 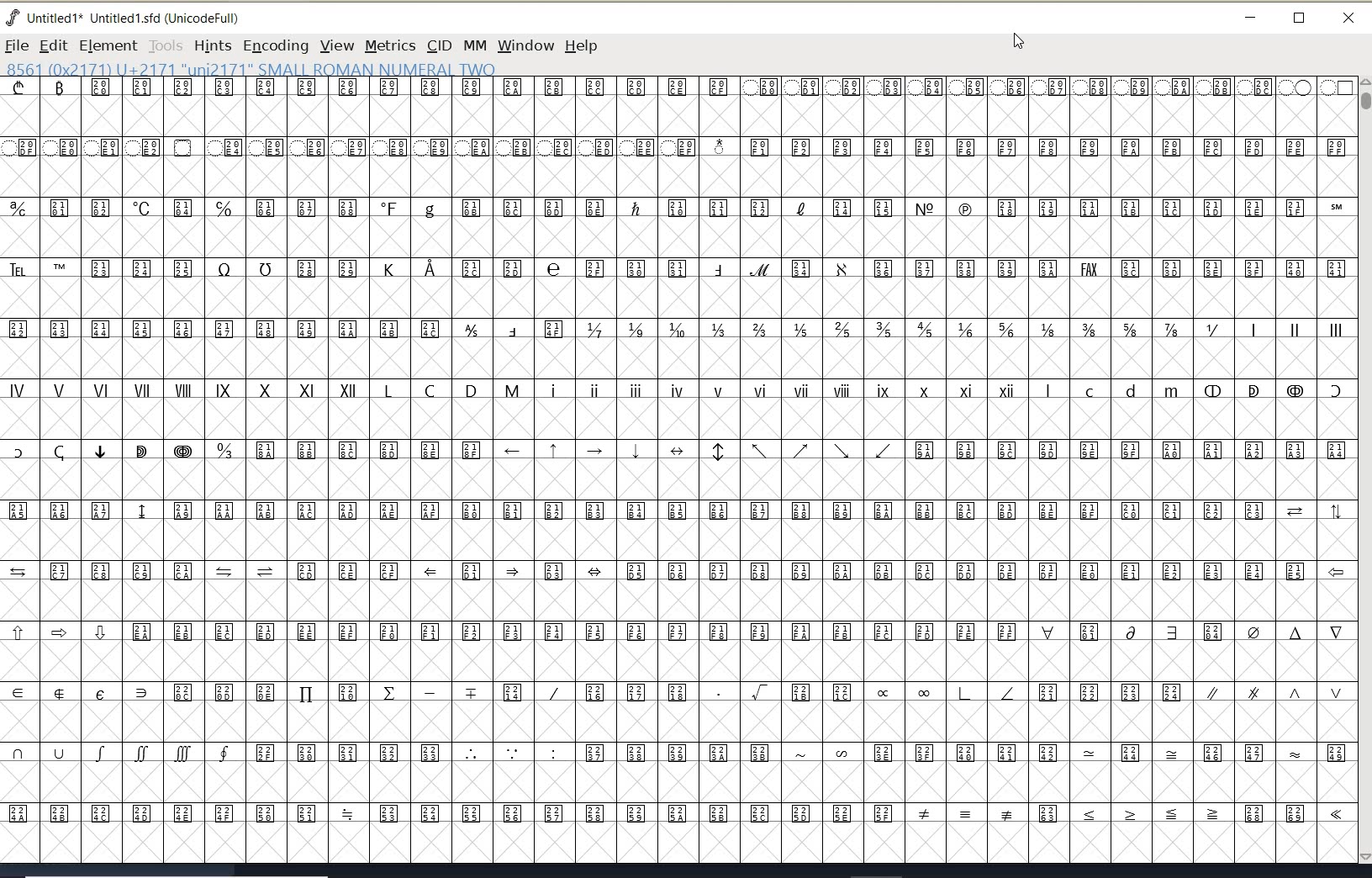 What do you see at coordinates (335, 45) in the screenshot?
I see `VIEW` at bounding box center [335, 45].